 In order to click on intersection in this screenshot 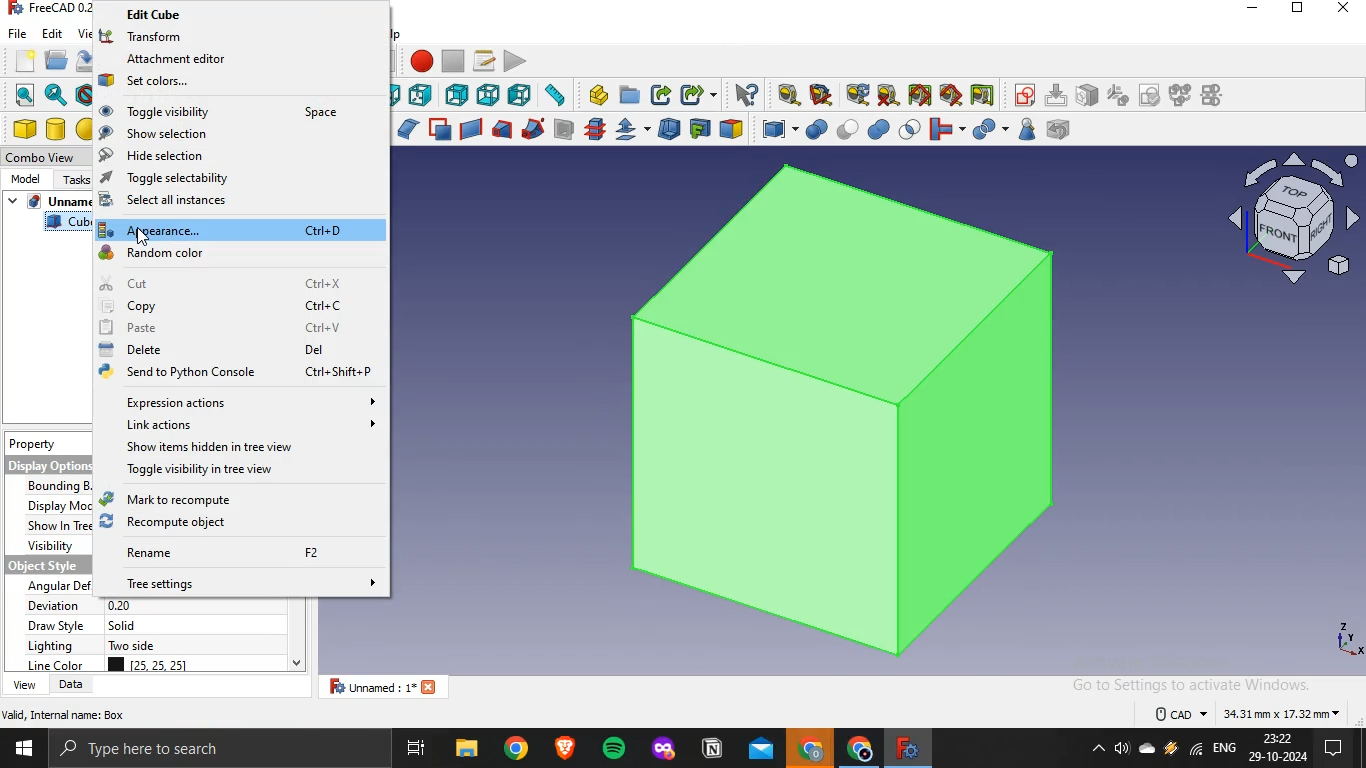, I will do `click(911, 127)`.